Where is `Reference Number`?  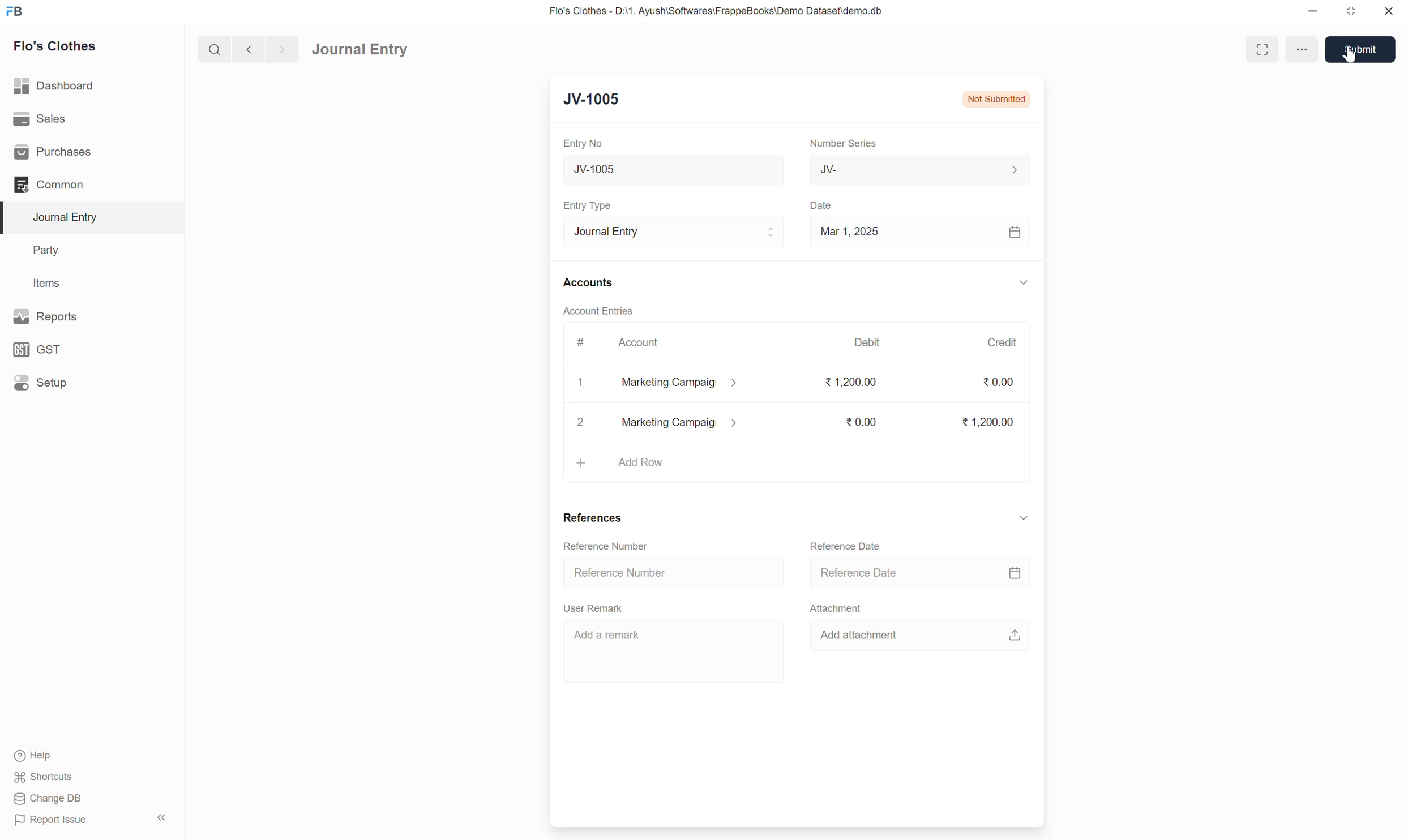 Reference Number is located at coordinates (620, 573).